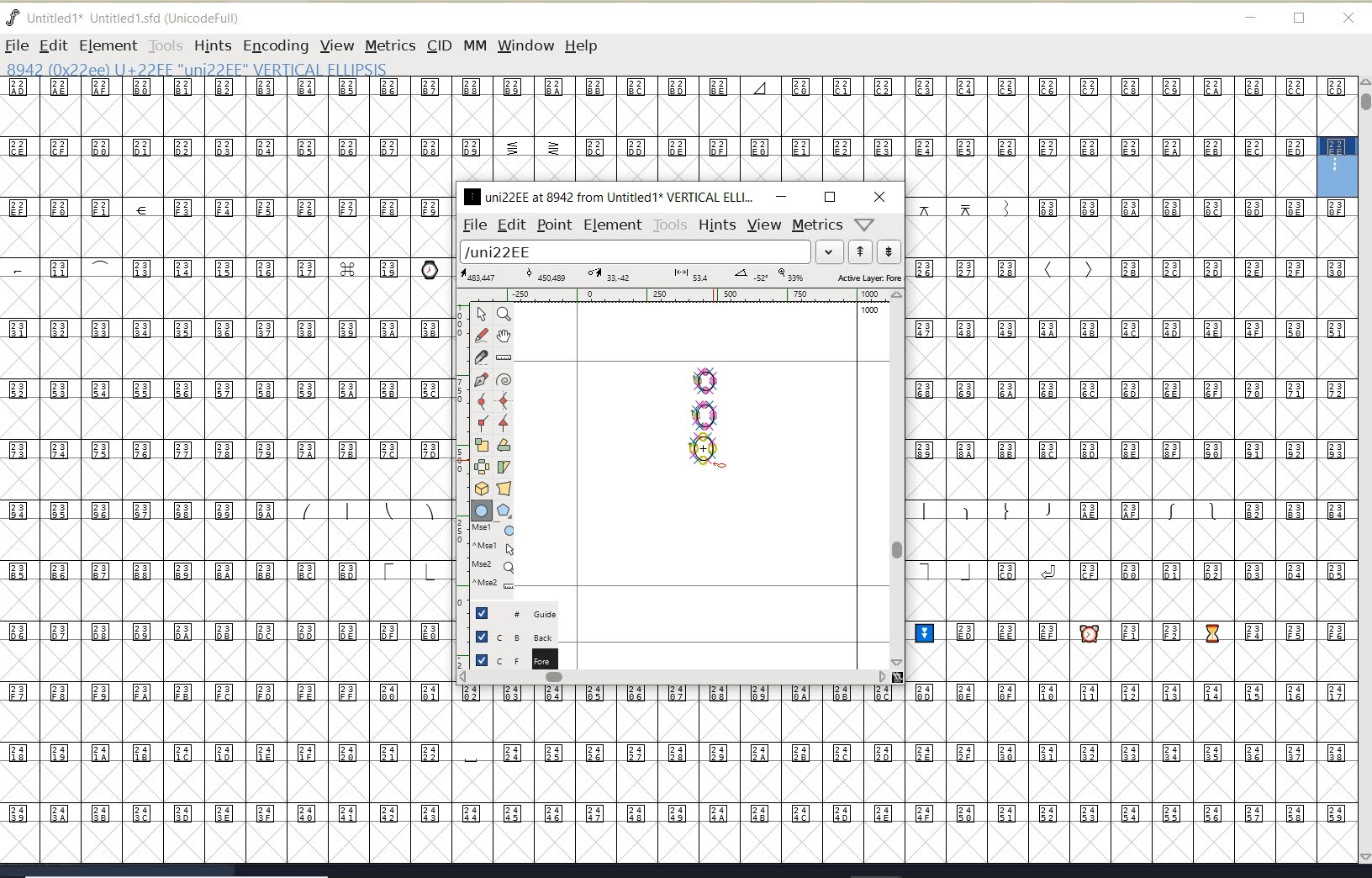 Image resolution: width=1372 pixels, height=878 pixels. Describe the element at coordinates (504, 512) in the screenshot. I see `polygon or star` at that location.